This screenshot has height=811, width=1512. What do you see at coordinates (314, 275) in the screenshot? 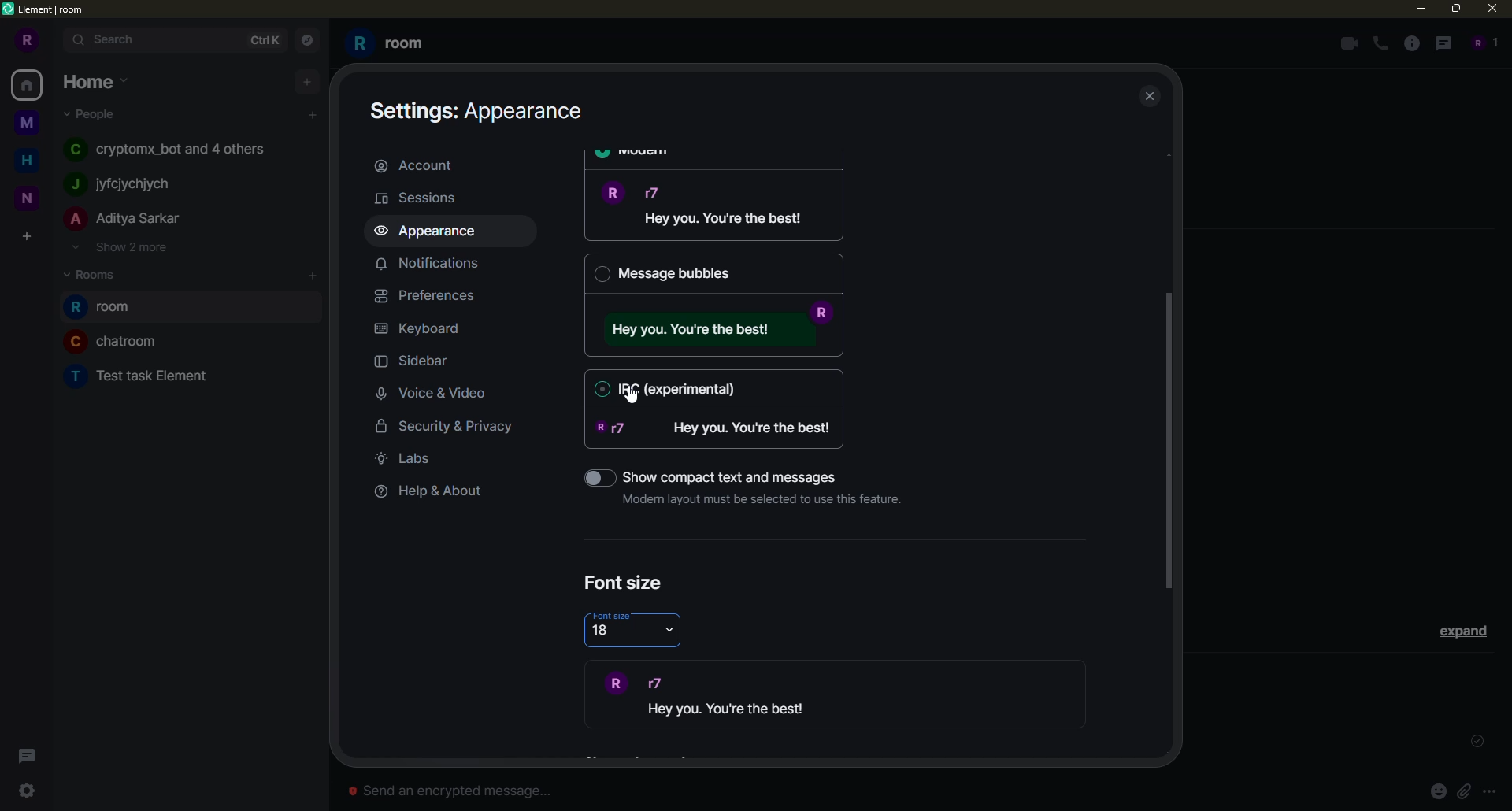
I see `add` at bounding box center [314, 275].